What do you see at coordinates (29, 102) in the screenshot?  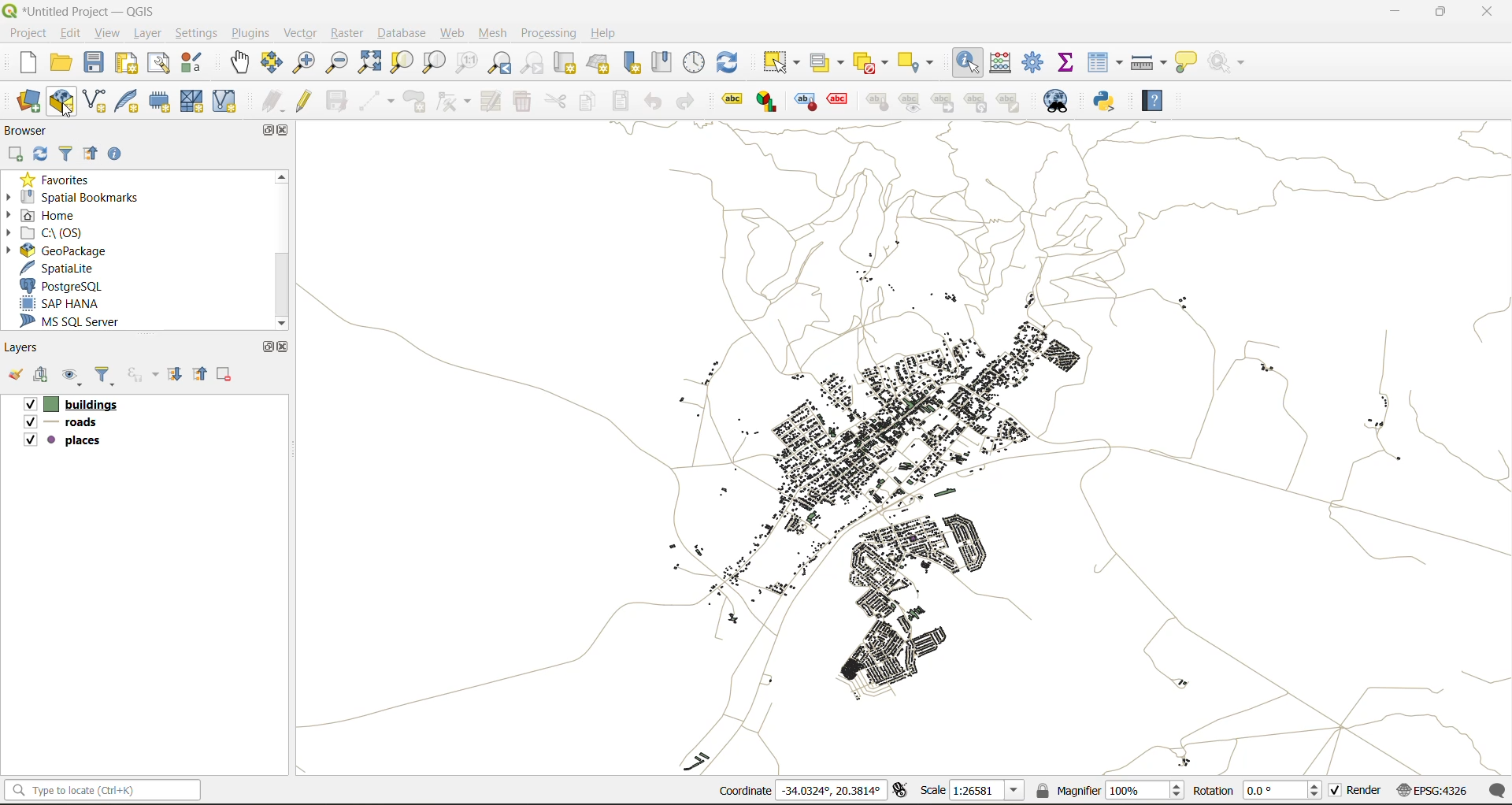 I see `open data source manager` at bounding box center [29, 102].